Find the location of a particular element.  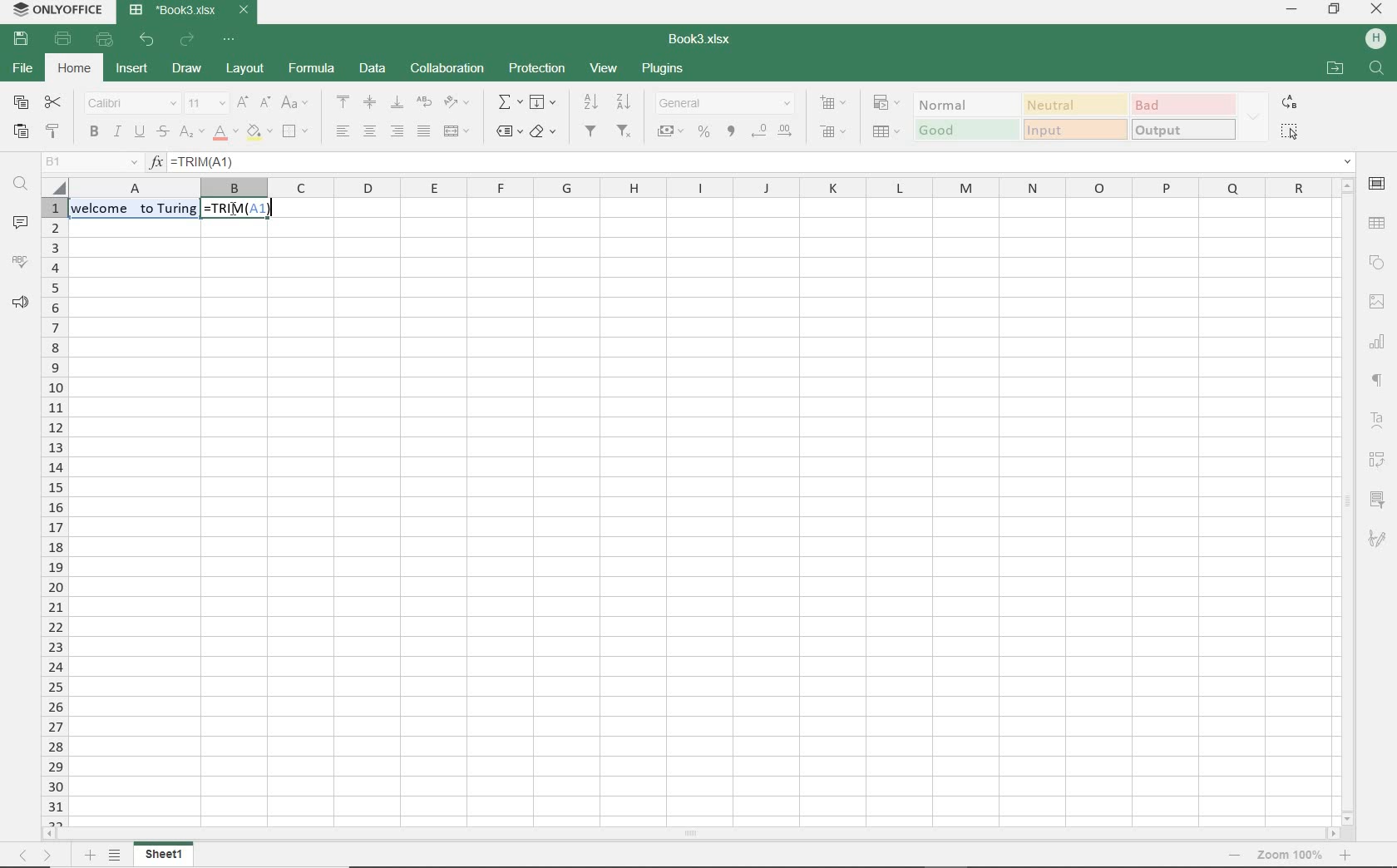

clear is located at coordinates (545, 133).